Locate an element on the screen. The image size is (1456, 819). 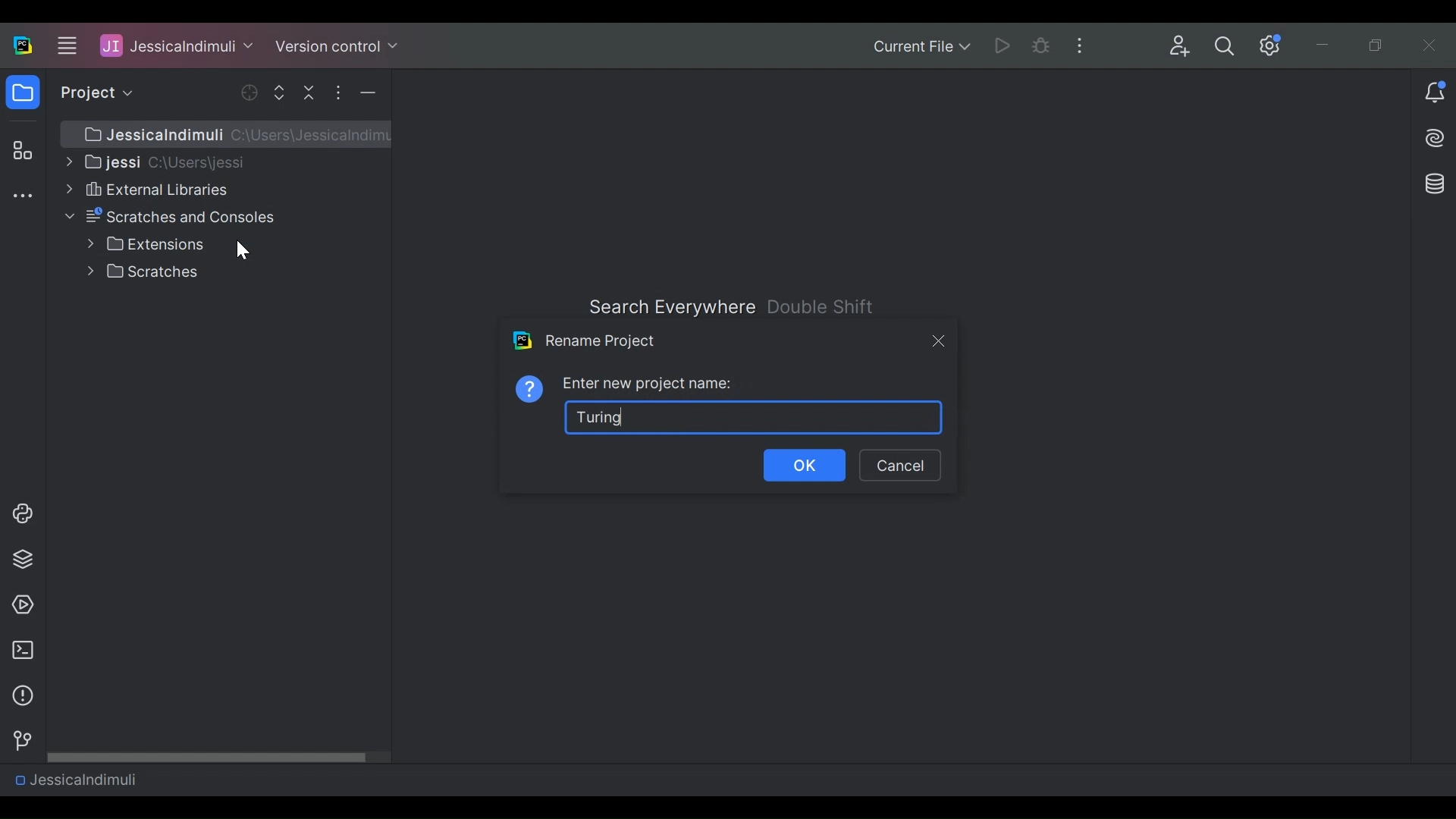
shortcut is located at coordinates (823, 306).